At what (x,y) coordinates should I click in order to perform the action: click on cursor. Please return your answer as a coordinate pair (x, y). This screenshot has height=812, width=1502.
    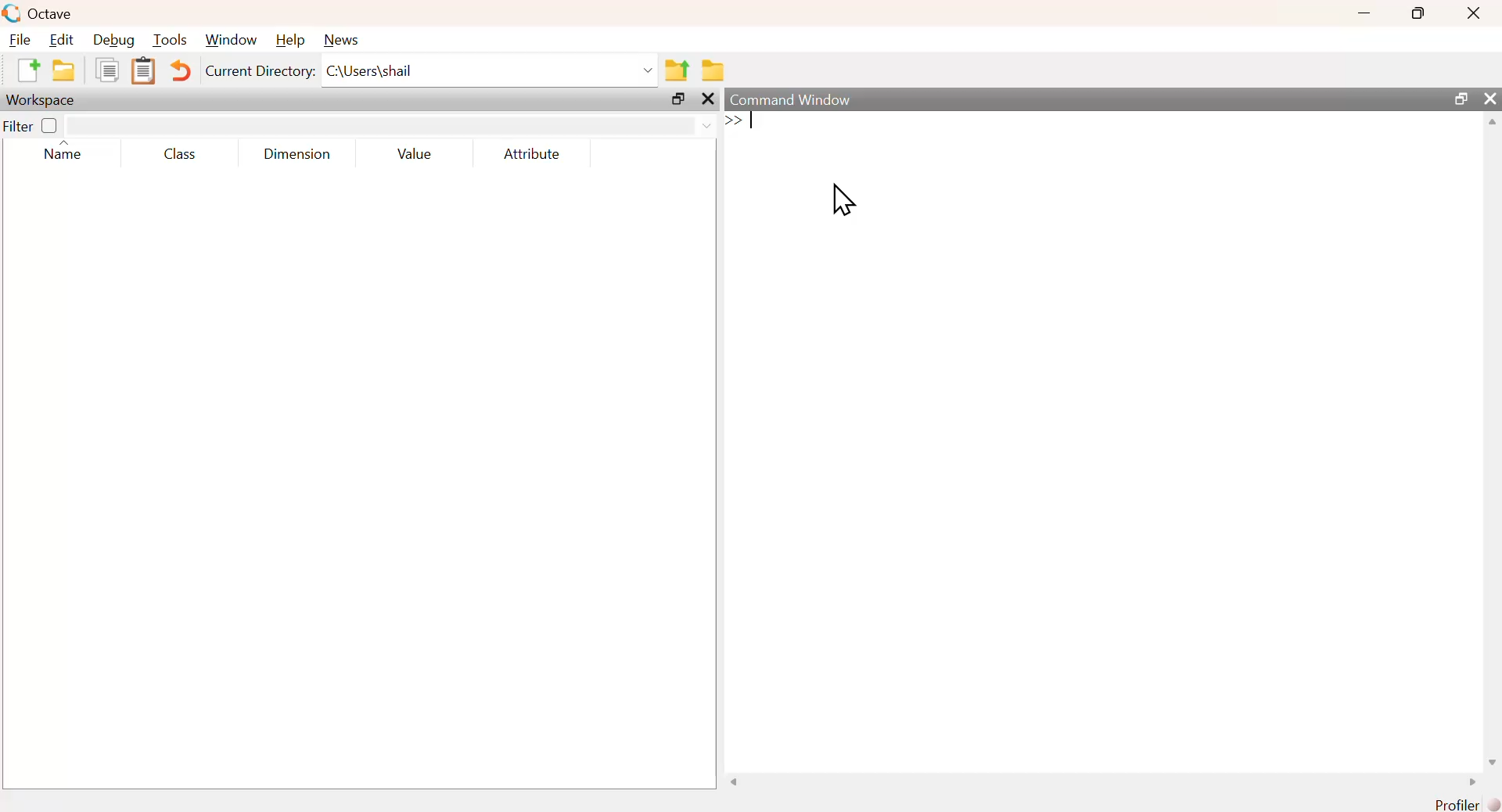
    Looking at the image, I should click on (843, 202).